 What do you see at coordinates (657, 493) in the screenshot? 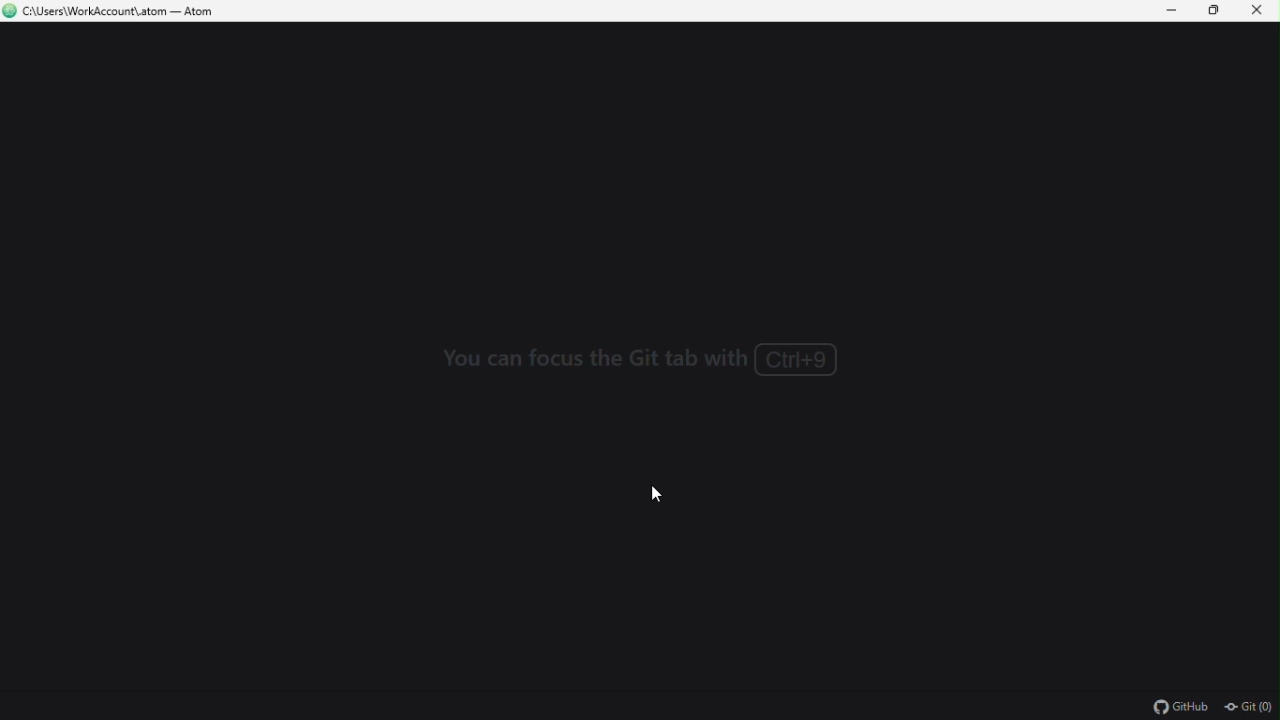
I see `Mouse pointer` at bounding box center [657, 493].